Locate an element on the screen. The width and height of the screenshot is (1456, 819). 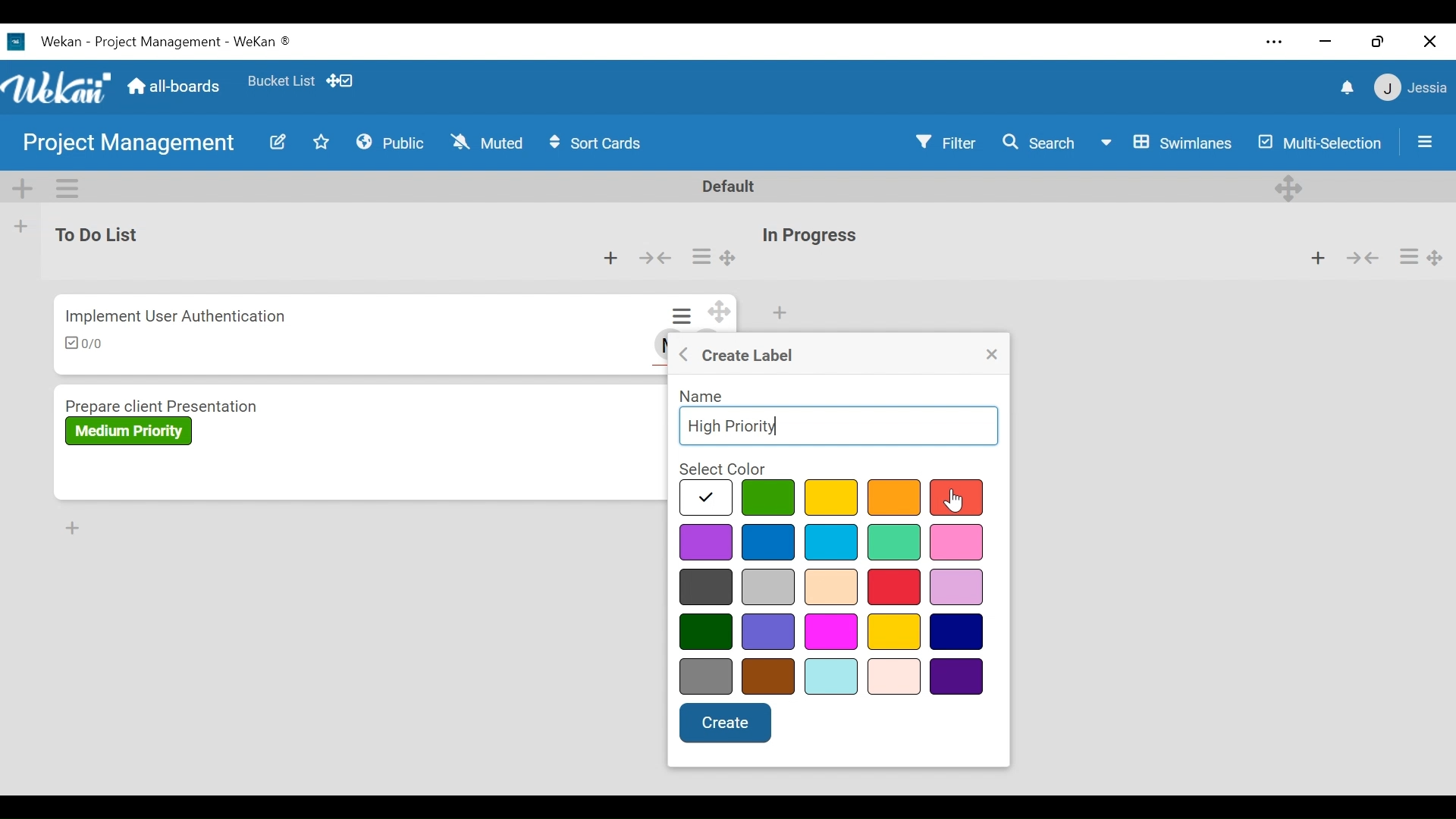
Desktop drag handles is located at coordinates (1291, 187).